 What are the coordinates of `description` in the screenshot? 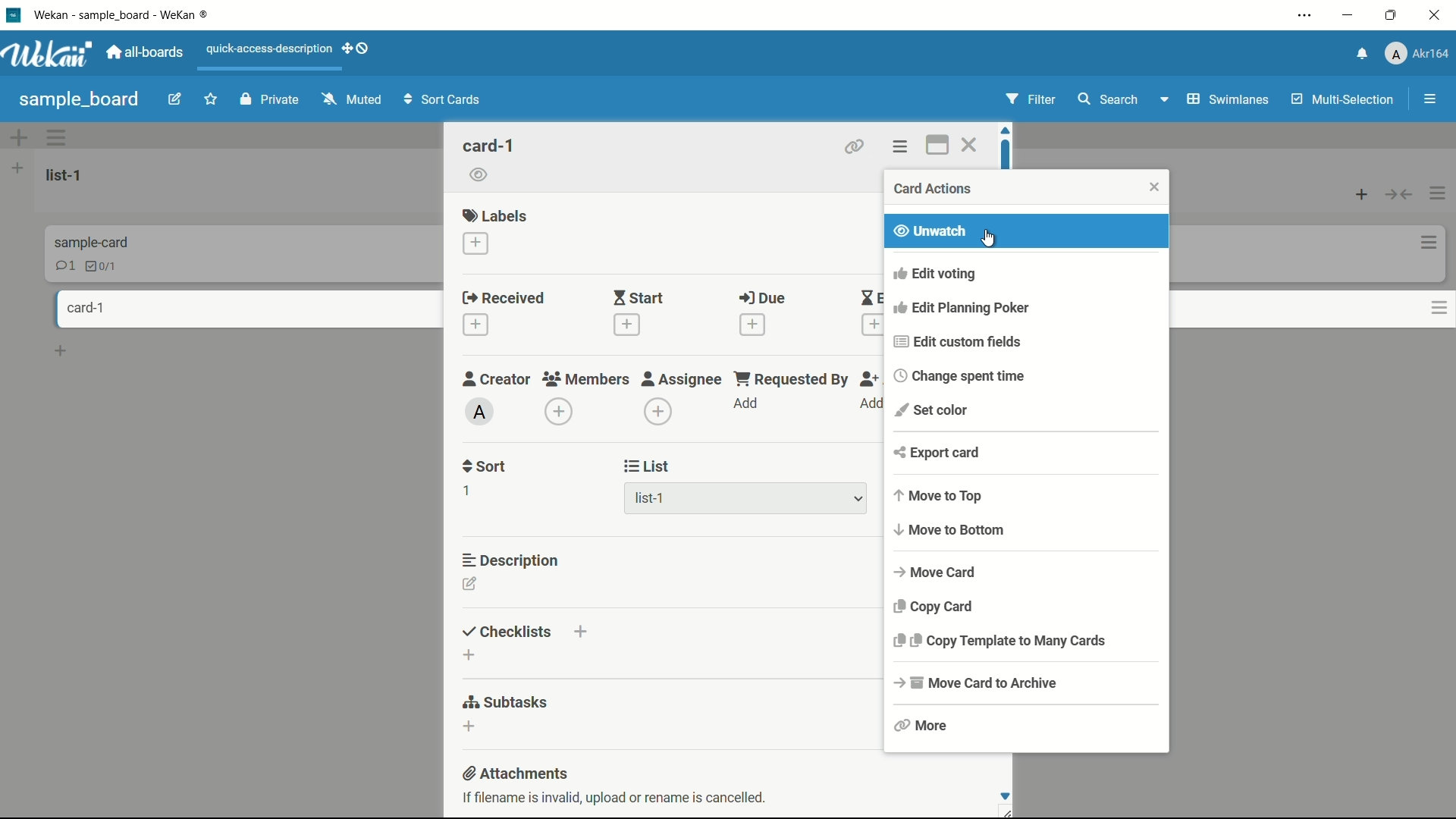 It's located at (511, 560).